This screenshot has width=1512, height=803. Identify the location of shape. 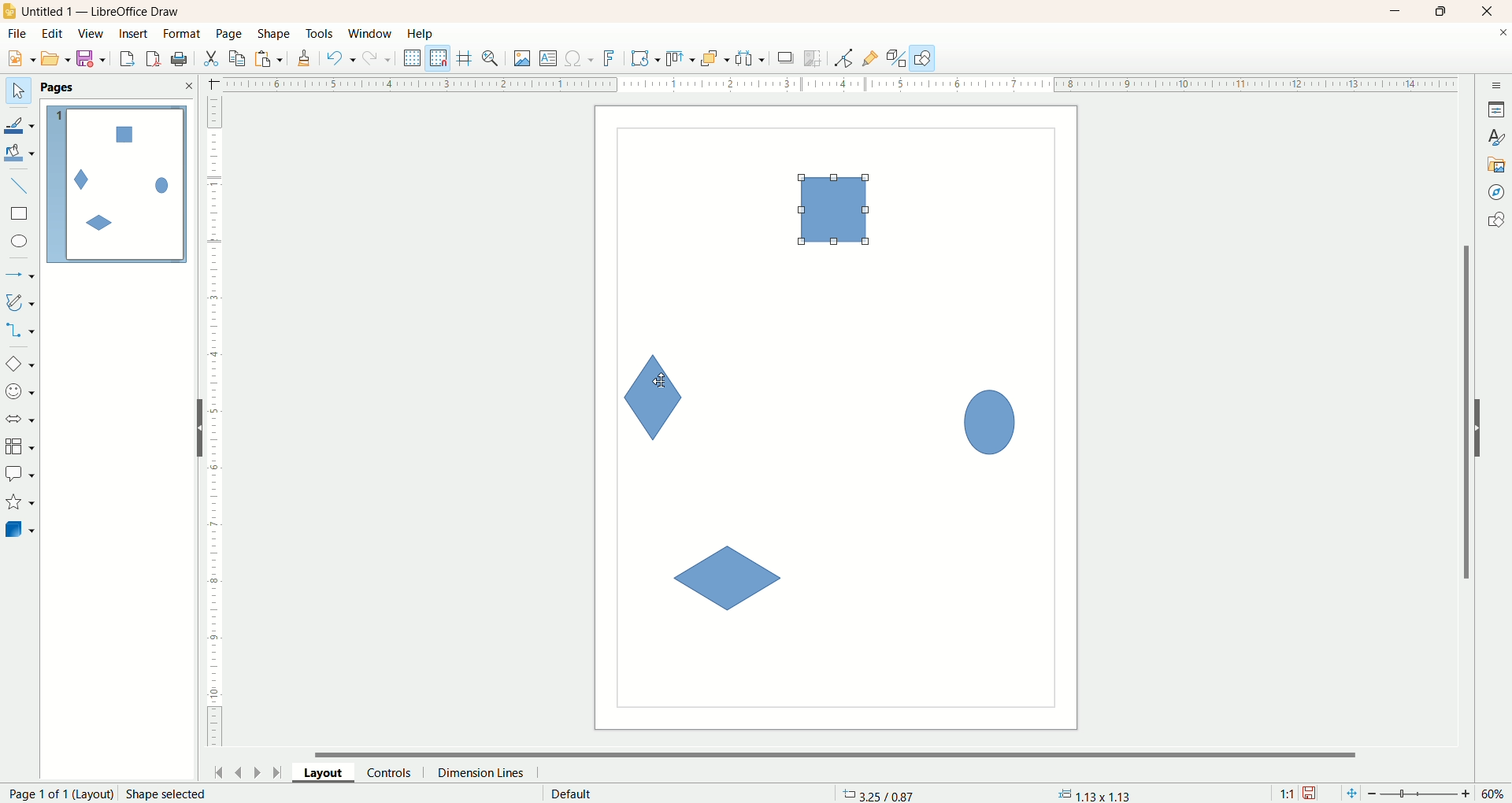
(275, 35).